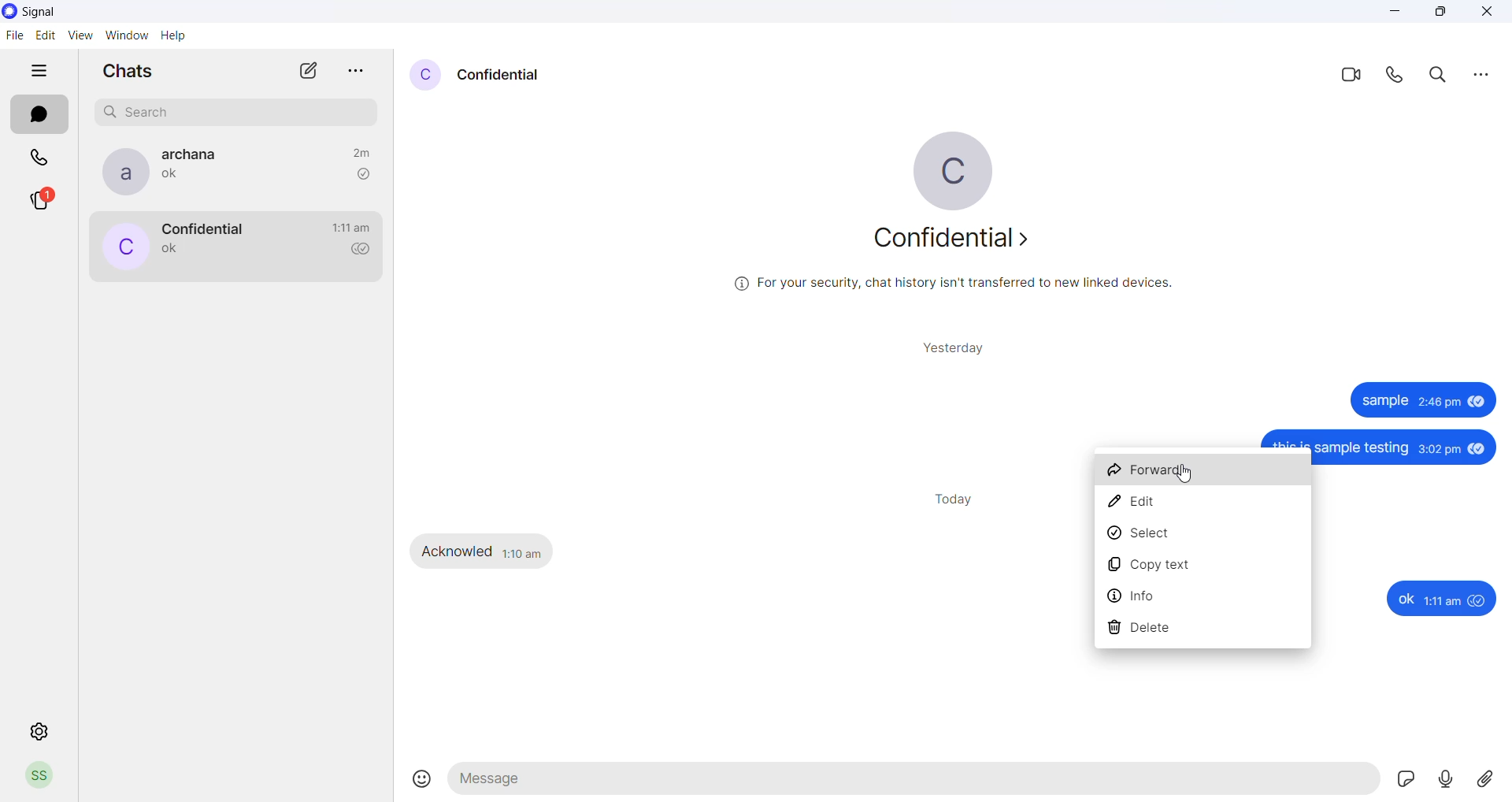 This screenshot has width=1512, height=802. What do you see at coordinates (1398, 75) in the screenshot?
I see `voice call` at bounding box center [1398, 75].